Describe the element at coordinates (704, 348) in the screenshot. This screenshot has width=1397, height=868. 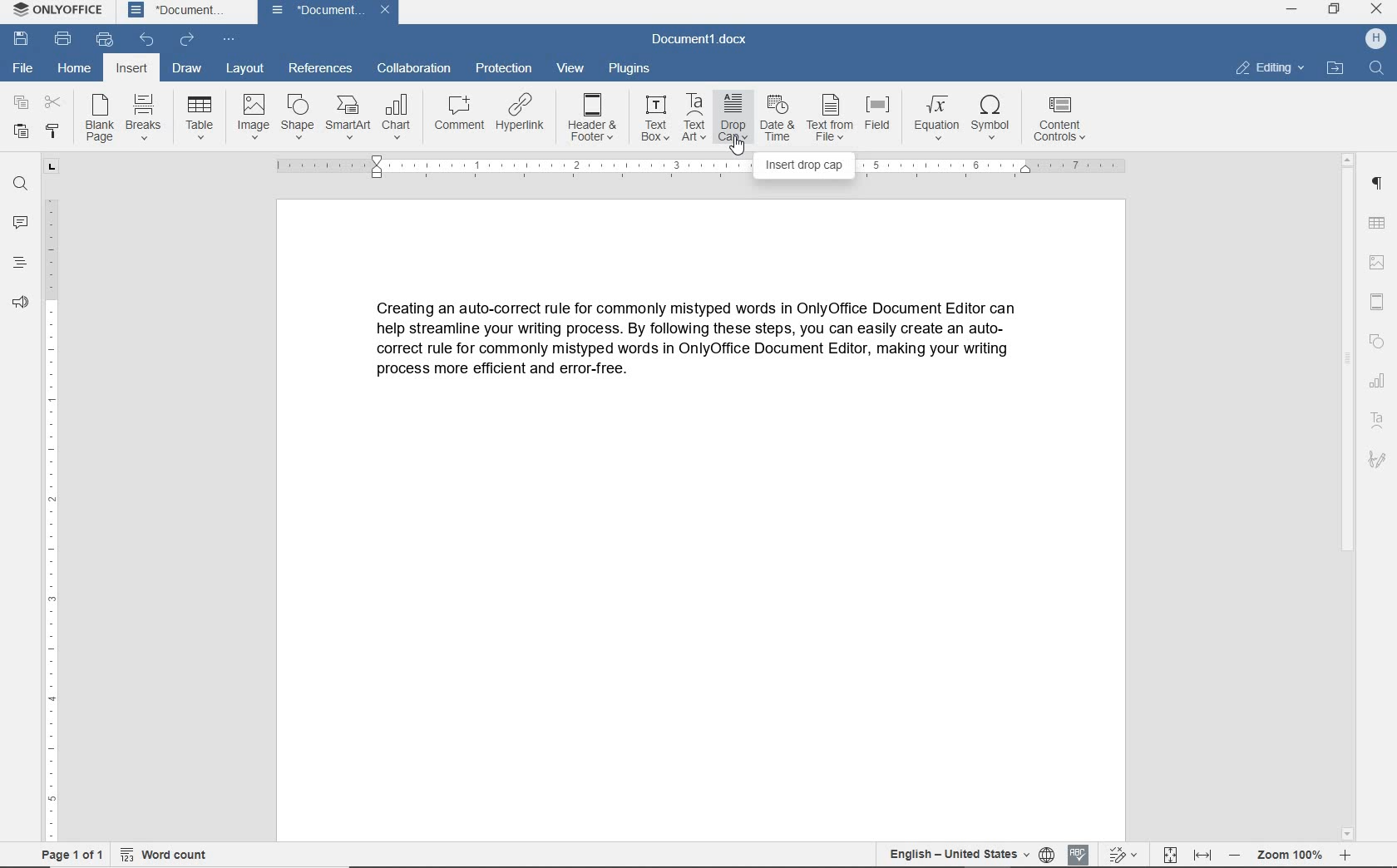
I see `text` at that location.